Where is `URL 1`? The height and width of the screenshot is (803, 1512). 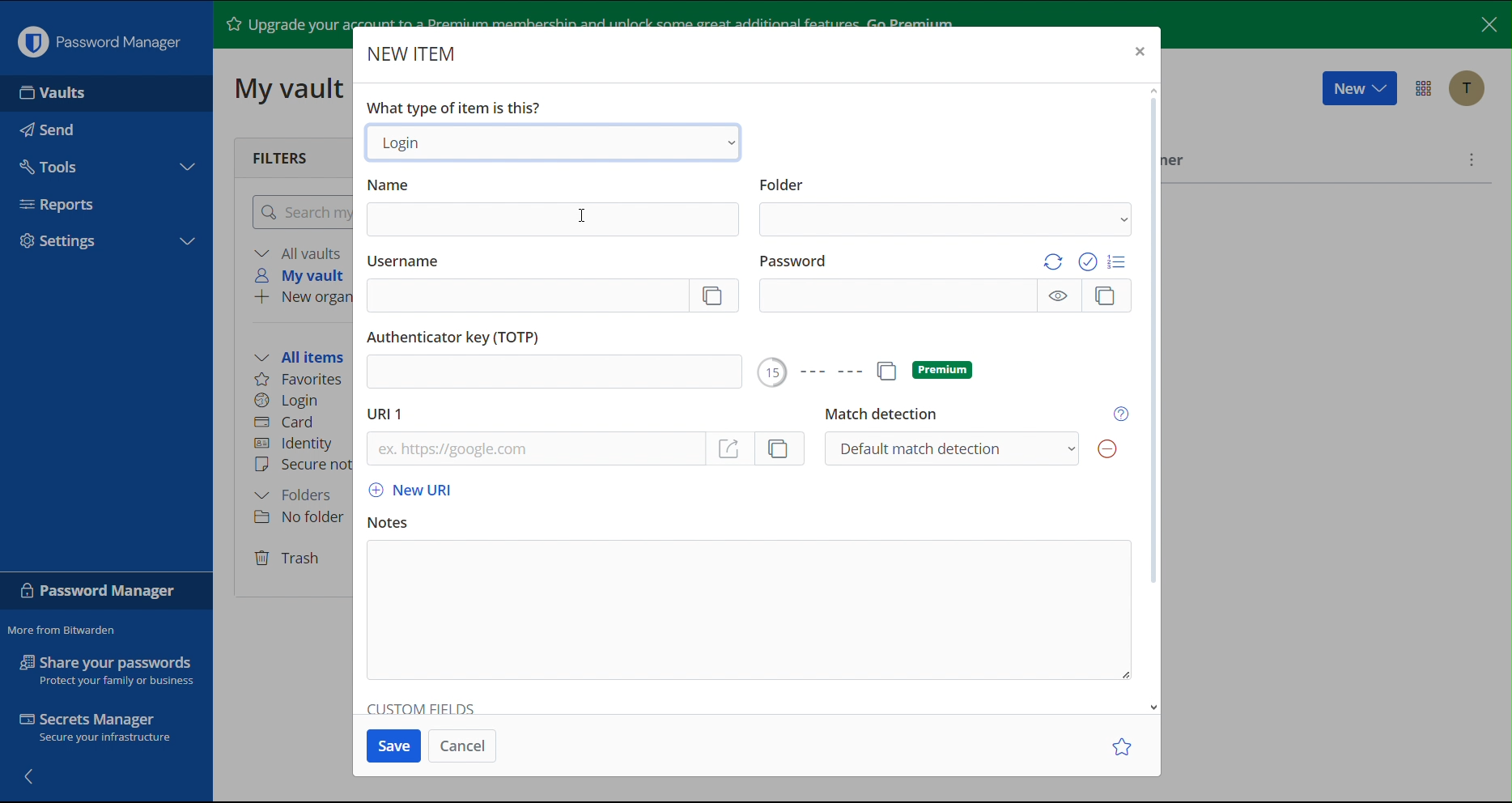 URL 1 is located at coordinates (386, 414).